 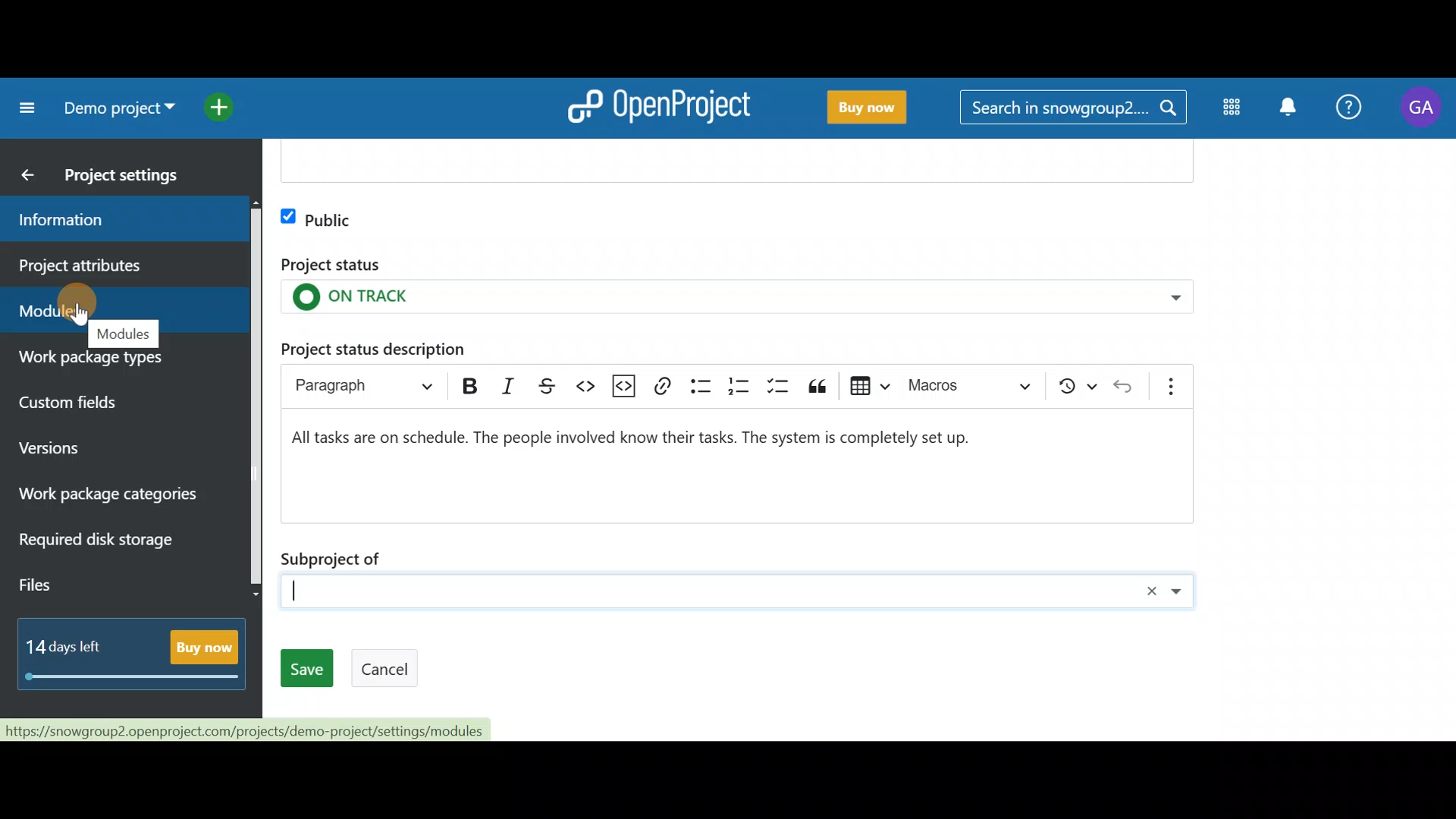 I want to click on Work package categories, so click(x=121, y=497).